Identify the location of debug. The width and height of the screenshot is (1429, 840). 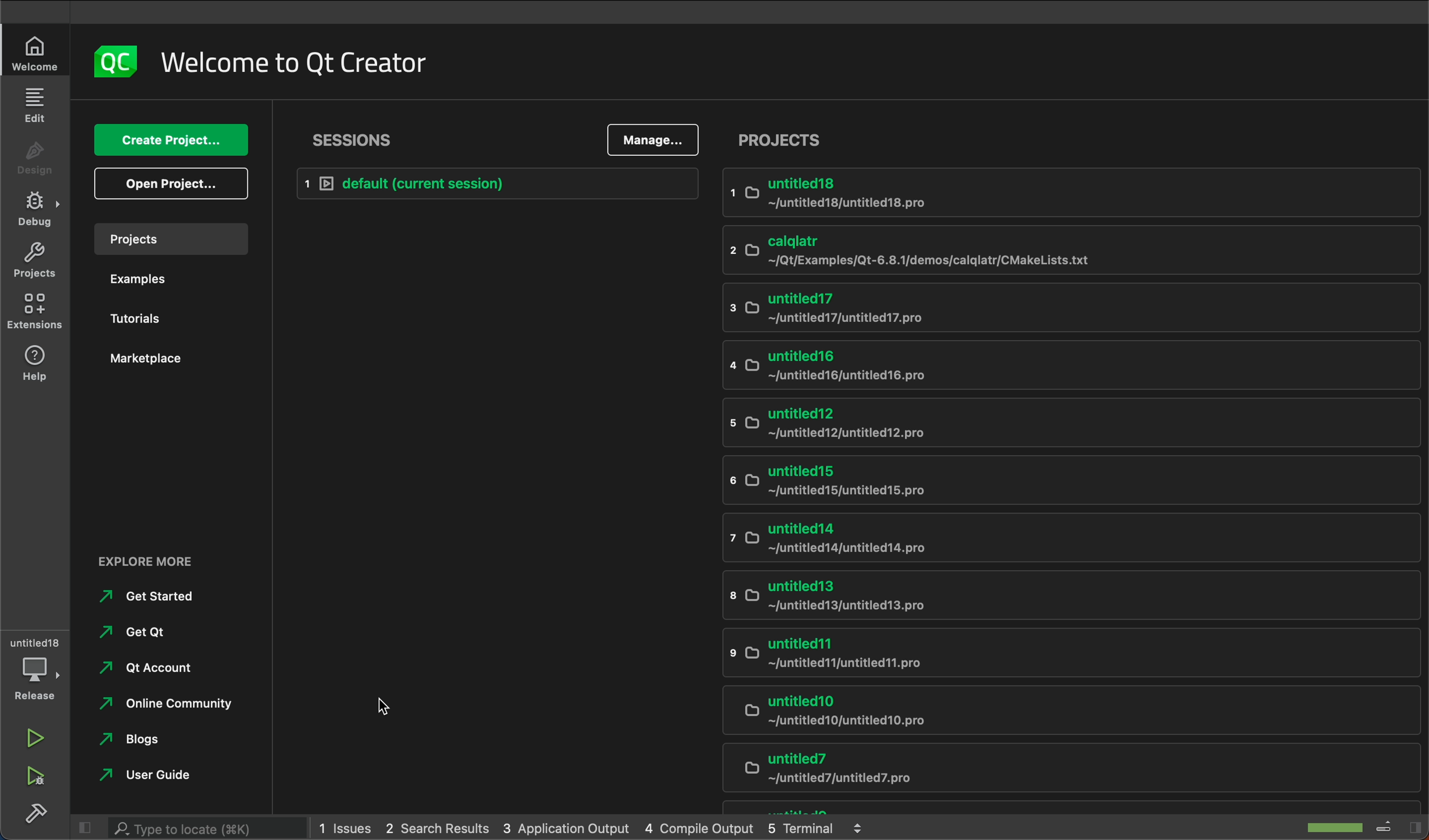
(38, 211).